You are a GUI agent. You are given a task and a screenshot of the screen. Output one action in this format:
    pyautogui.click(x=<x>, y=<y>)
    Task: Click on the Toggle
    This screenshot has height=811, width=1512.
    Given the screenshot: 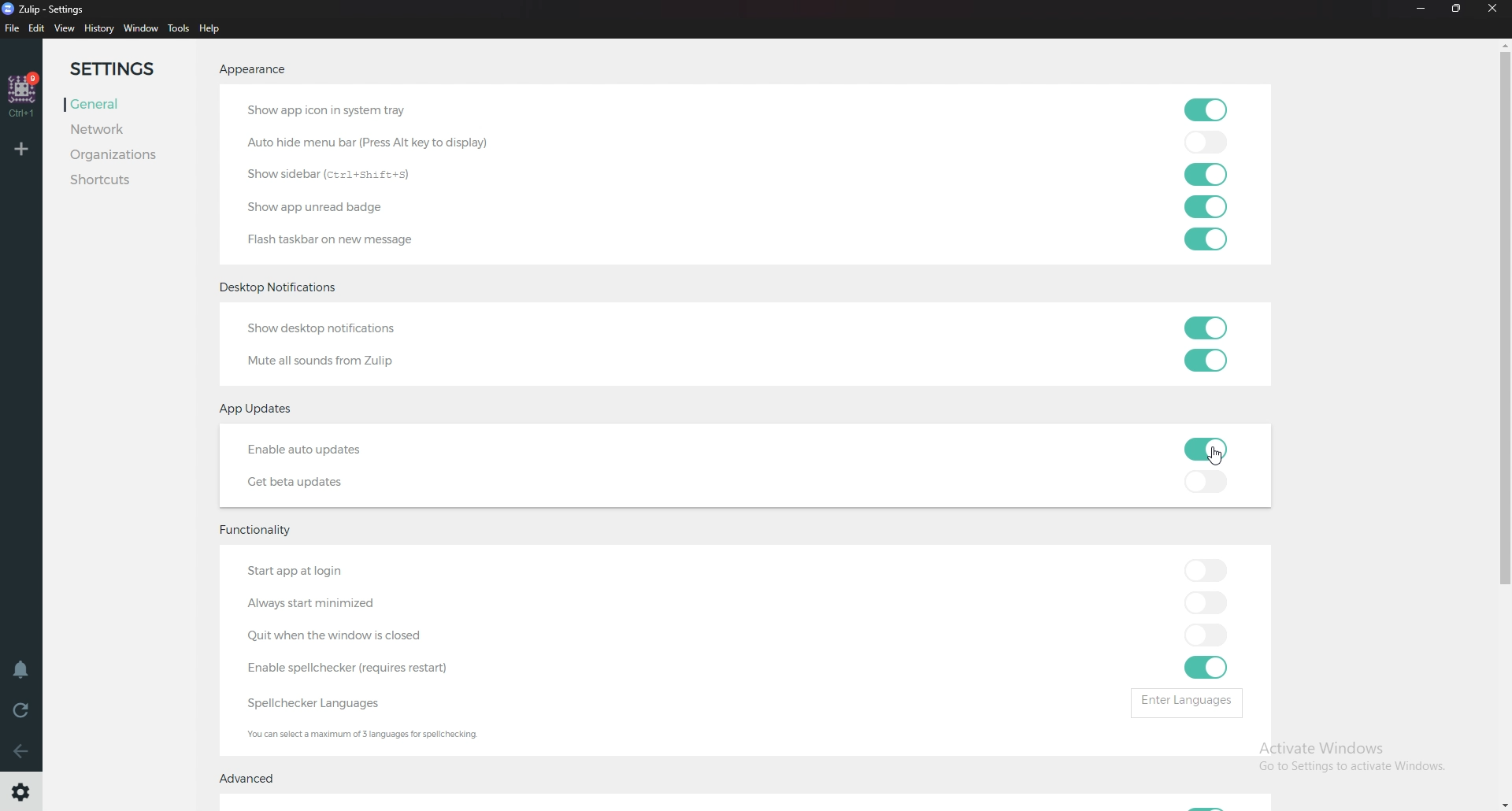 What is the action you would take?
    pyautogui.click(x=1206, y=802)
    